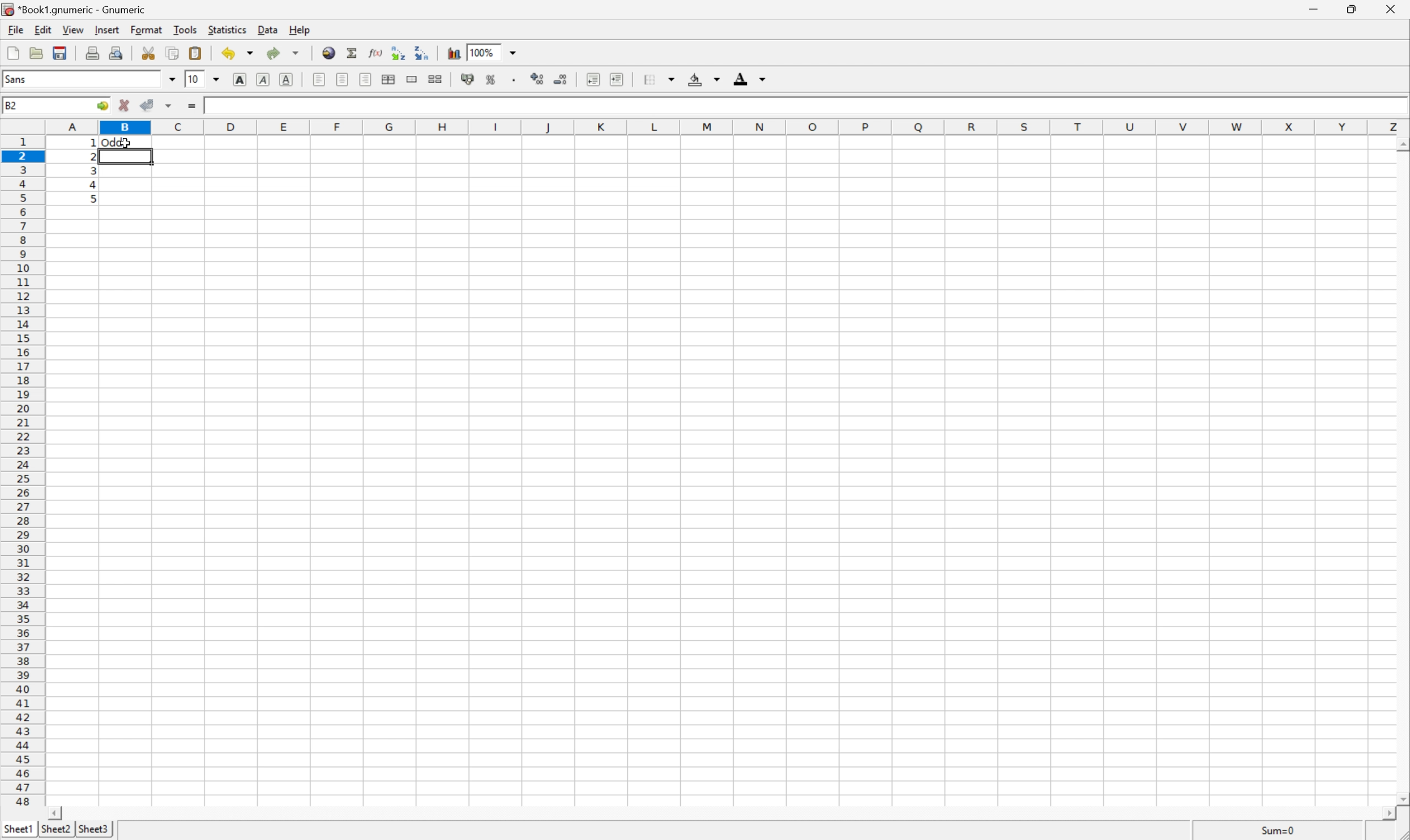  I want to click on Drop Down, so click(174, 78).